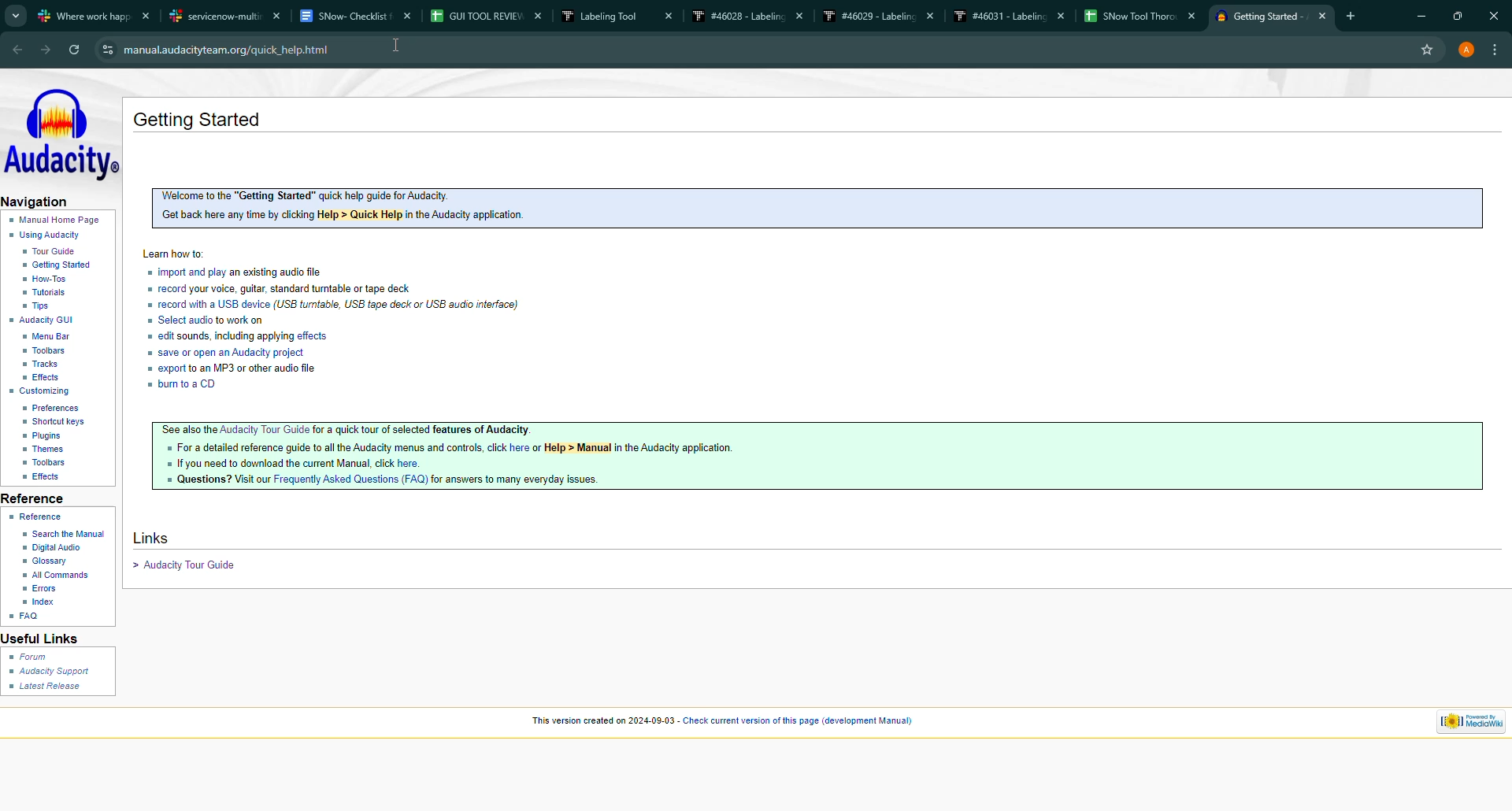 The width and height of the screenshot is (1512, 811). I want to click on favourite, so click(1424, 50).